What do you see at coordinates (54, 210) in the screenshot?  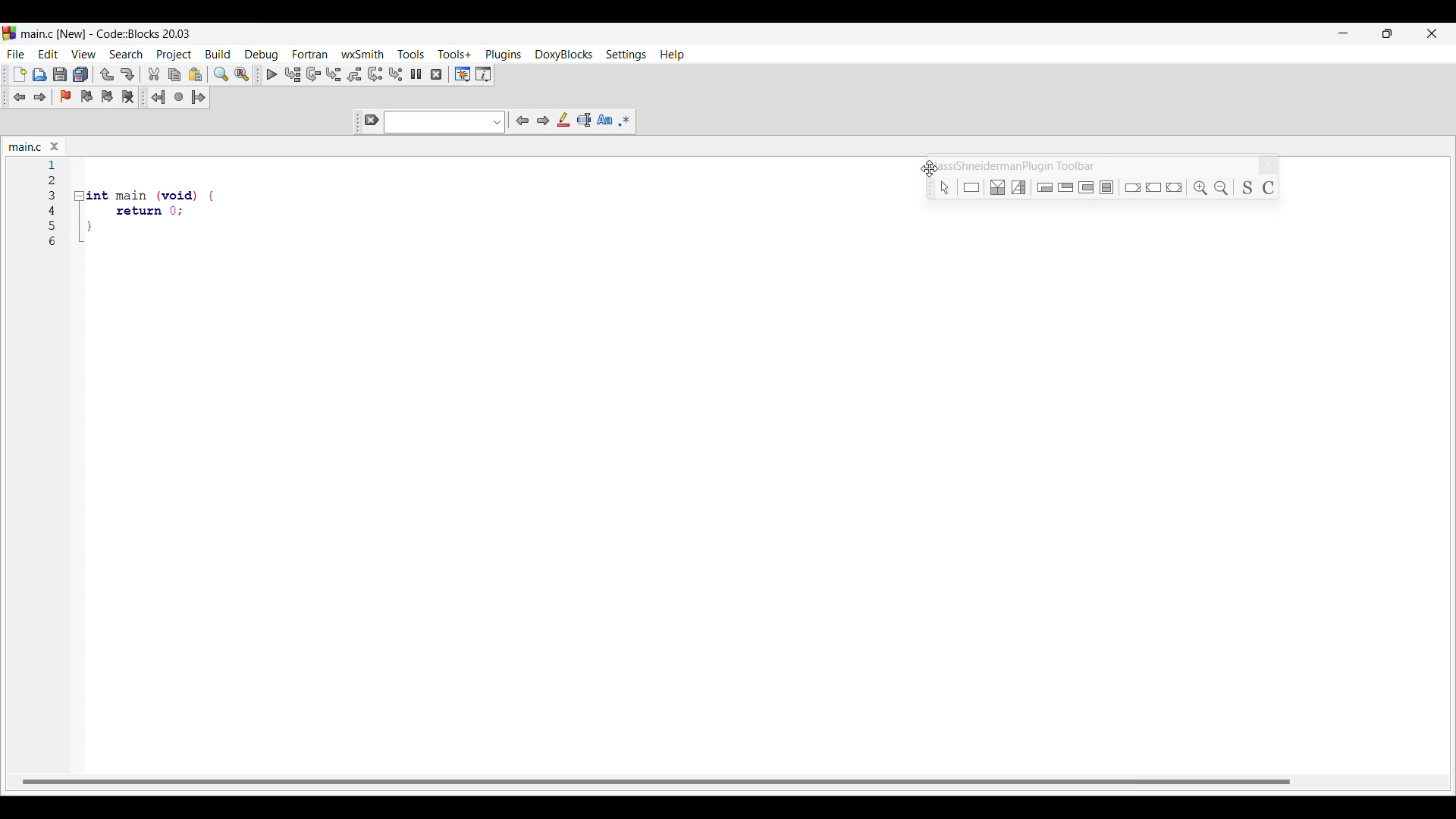 I see `` at bounding box center [54, 210].